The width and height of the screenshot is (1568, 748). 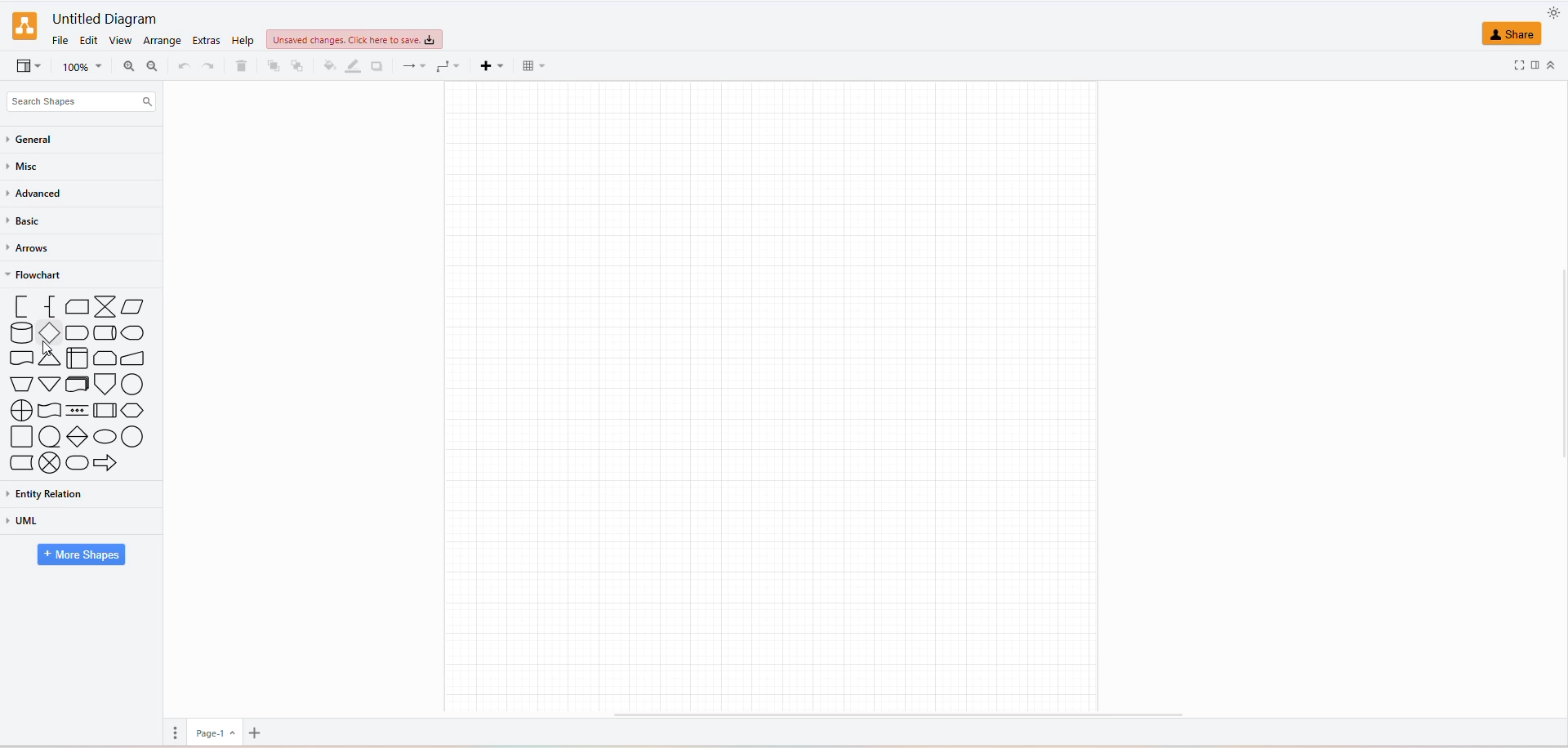 I want to click on VIEWSEARCH, so click(x=29, y=67).